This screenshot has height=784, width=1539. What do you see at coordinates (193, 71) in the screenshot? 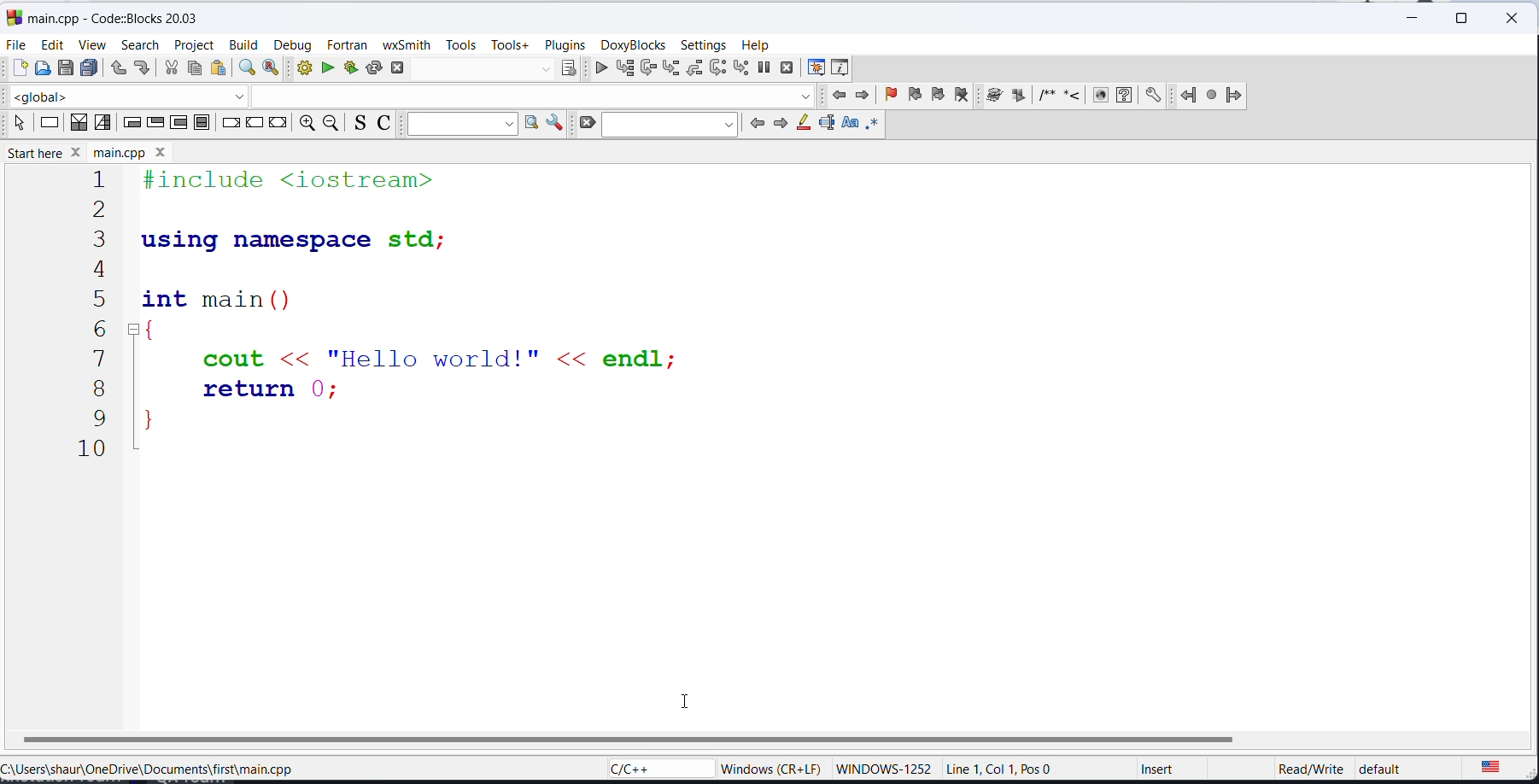
I see `COPY` at bounding box center [193, 71].